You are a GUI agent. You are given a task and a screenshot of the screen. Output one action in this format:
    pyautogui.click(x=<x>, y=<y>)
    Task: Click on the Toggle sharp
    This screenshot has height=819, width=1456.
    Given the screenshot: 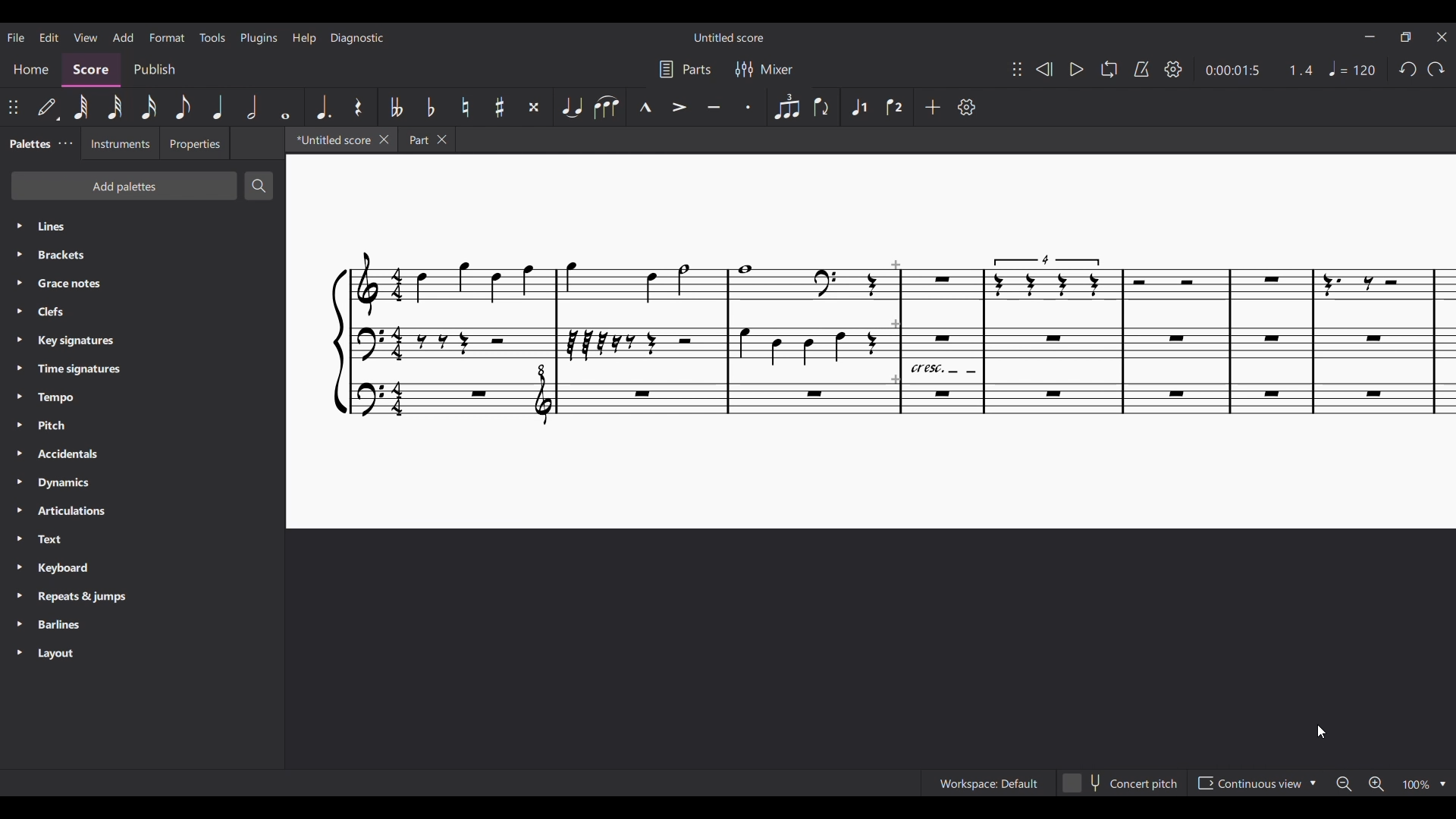 What is the action you would take?
    pyautogui.click(x=500, y=107)
    